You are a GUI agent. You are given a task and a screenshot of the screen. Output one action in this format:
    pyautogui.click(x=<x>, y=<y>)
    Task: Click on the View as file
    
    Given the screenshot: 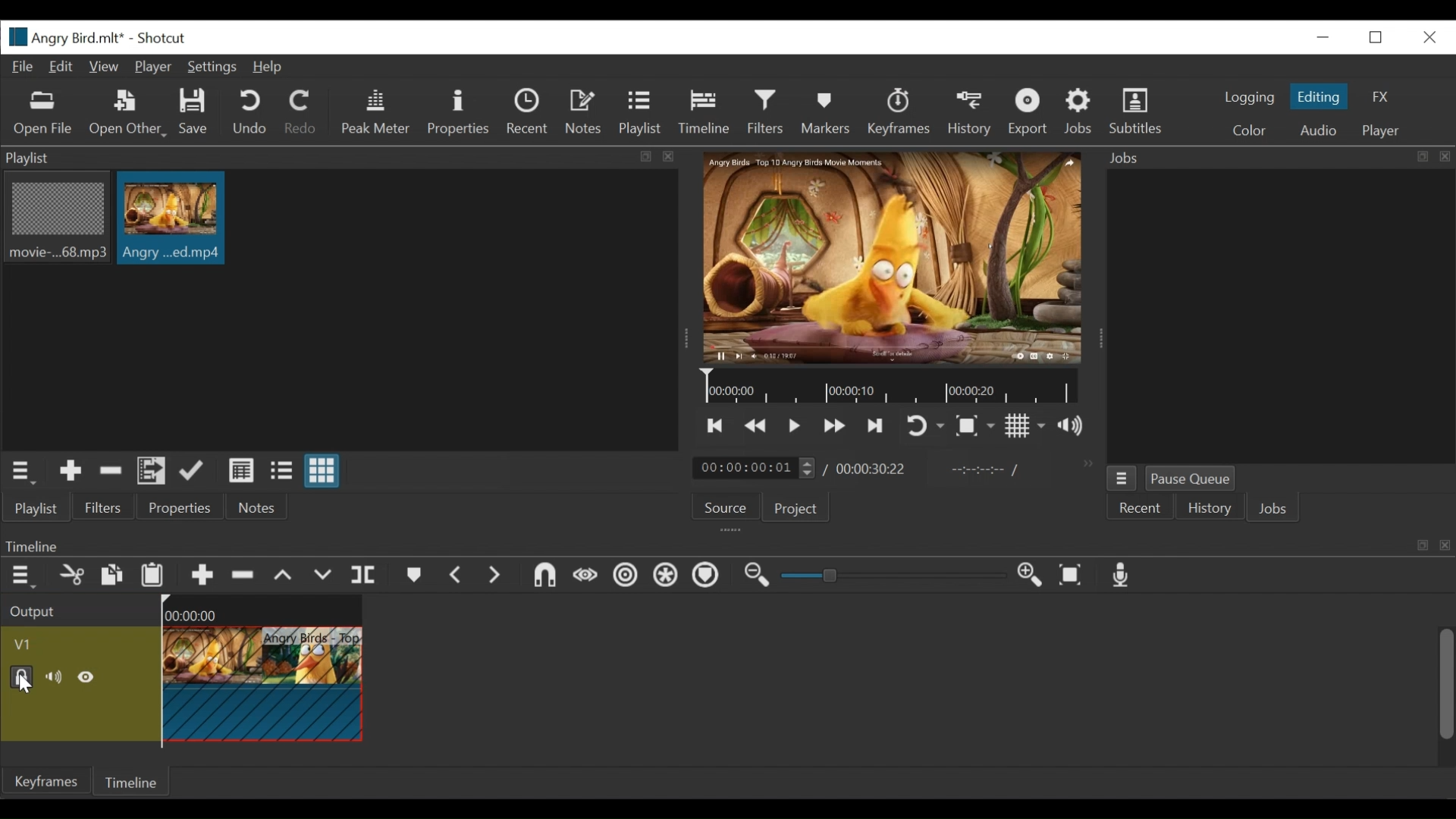 What is the action you would take?
    pyautogui.click(x=284, y=473)
    